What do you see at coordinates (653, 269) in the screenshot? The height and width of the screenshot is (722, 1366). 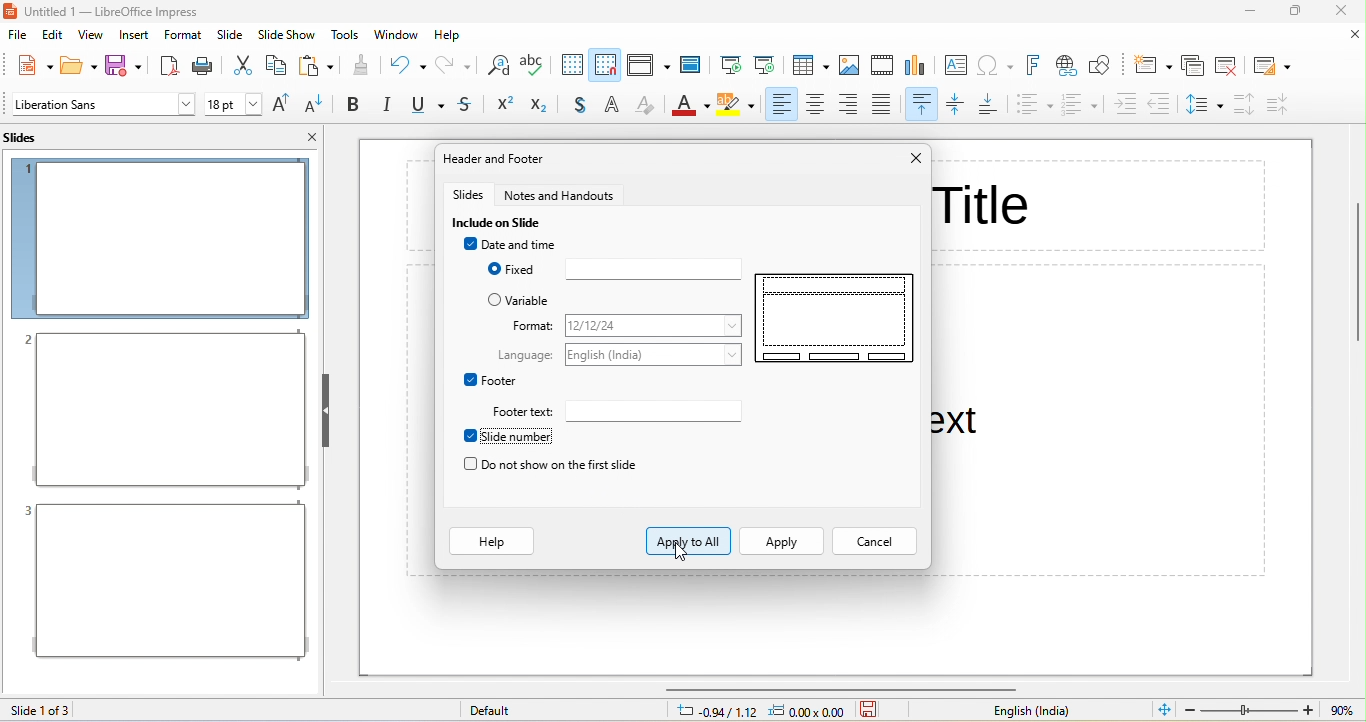 I see `input box` at bounding box center [653, 269].